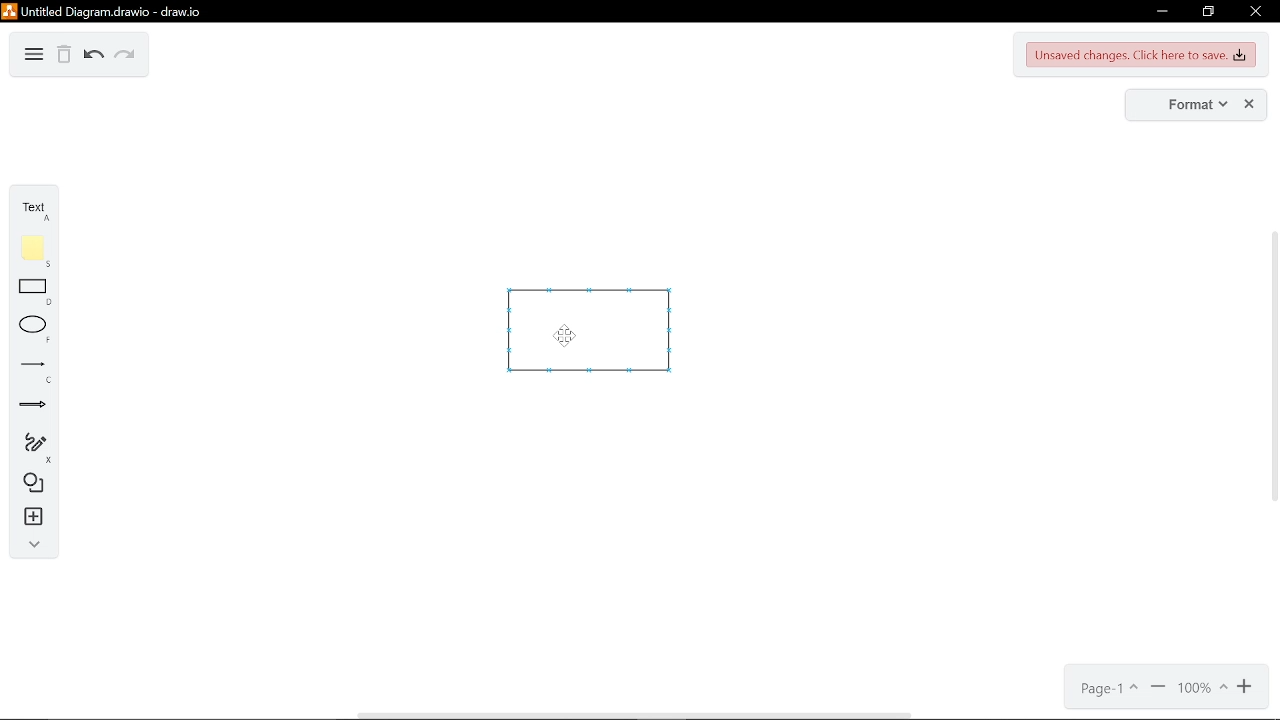  I want to click on redo, so click(125, 57).